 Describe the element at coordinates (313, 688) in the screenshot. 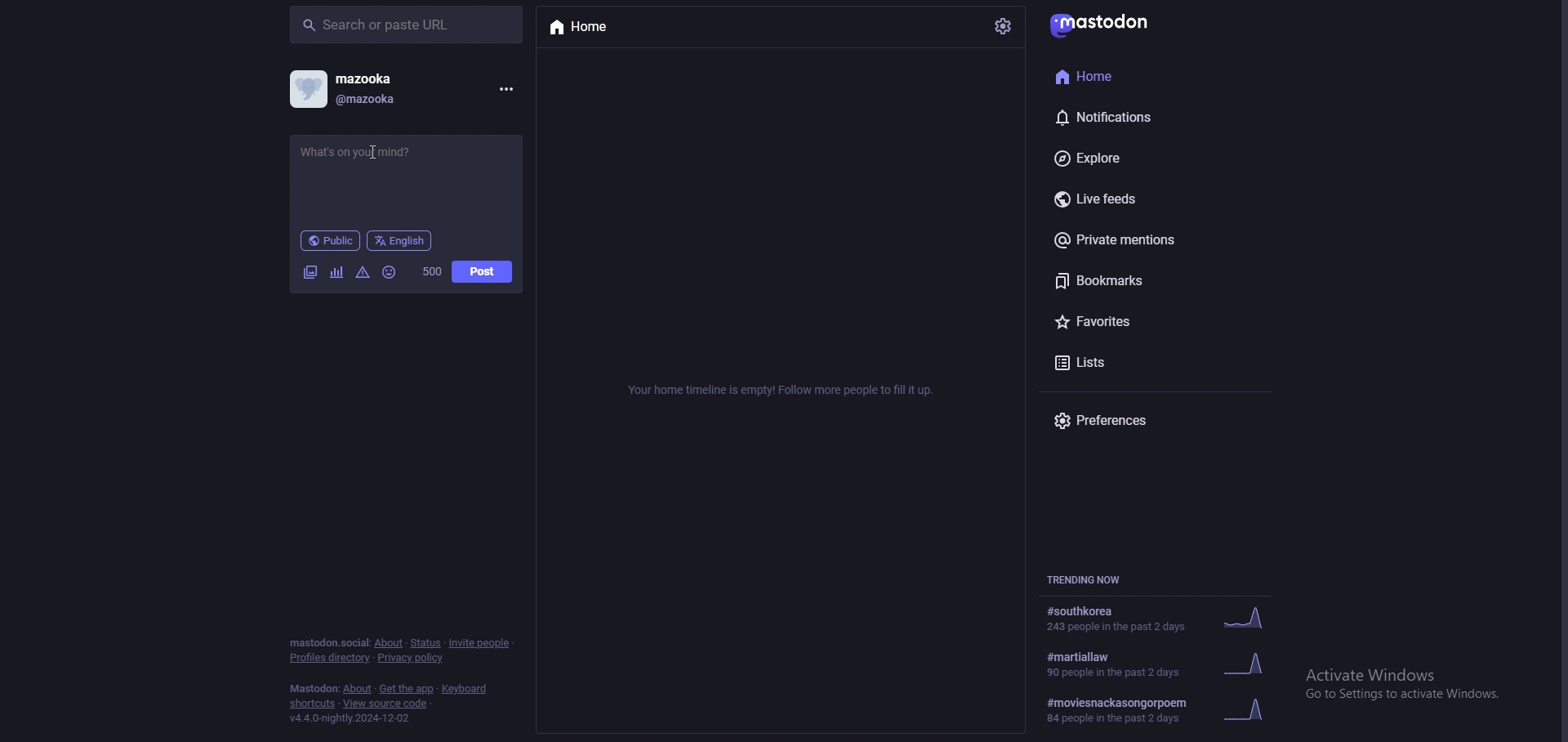

I see `mastodon` at that location.